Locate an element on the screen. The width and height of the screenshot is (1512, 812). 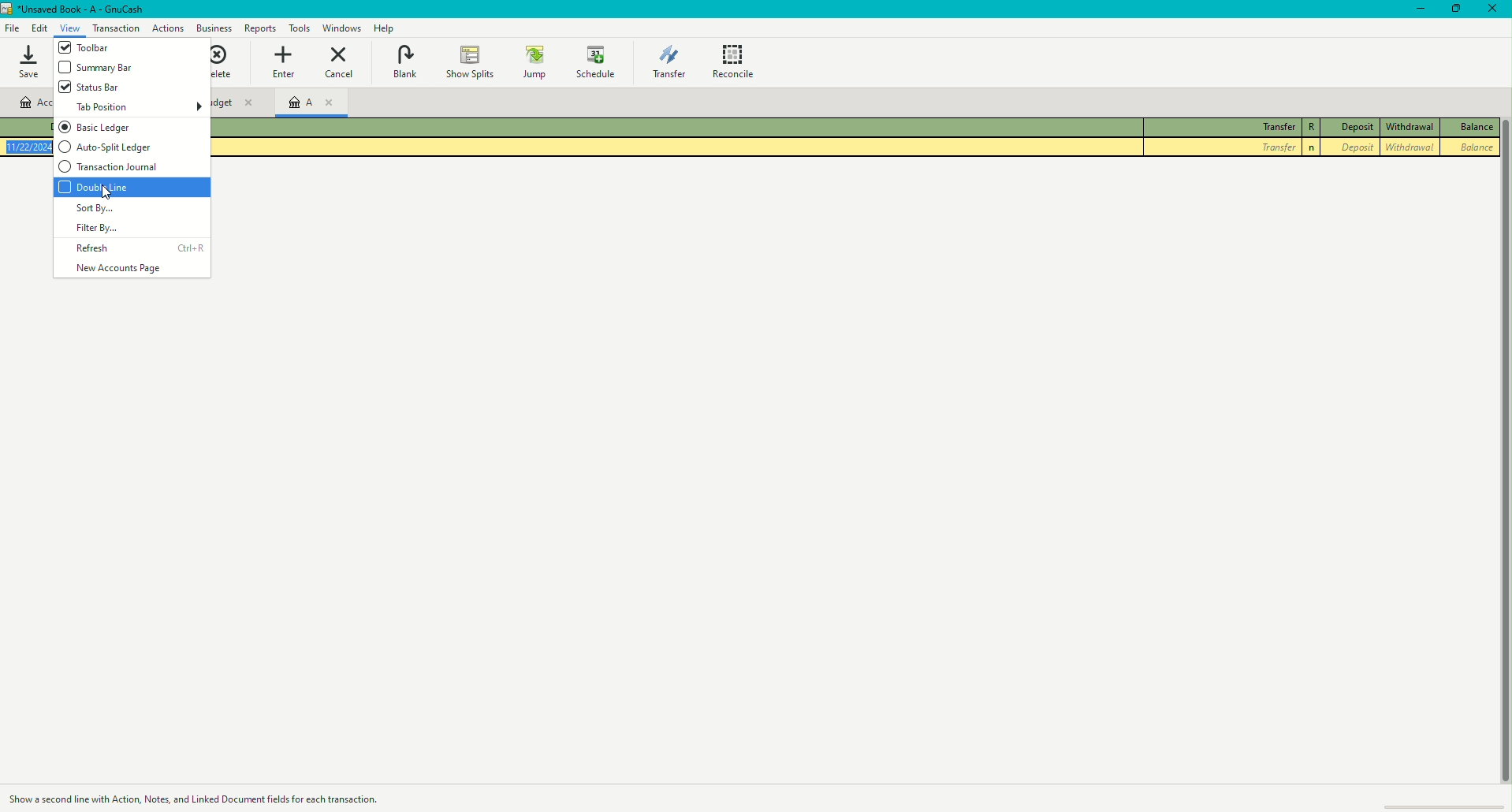
Minimize is located at coordinates (1421, 13).